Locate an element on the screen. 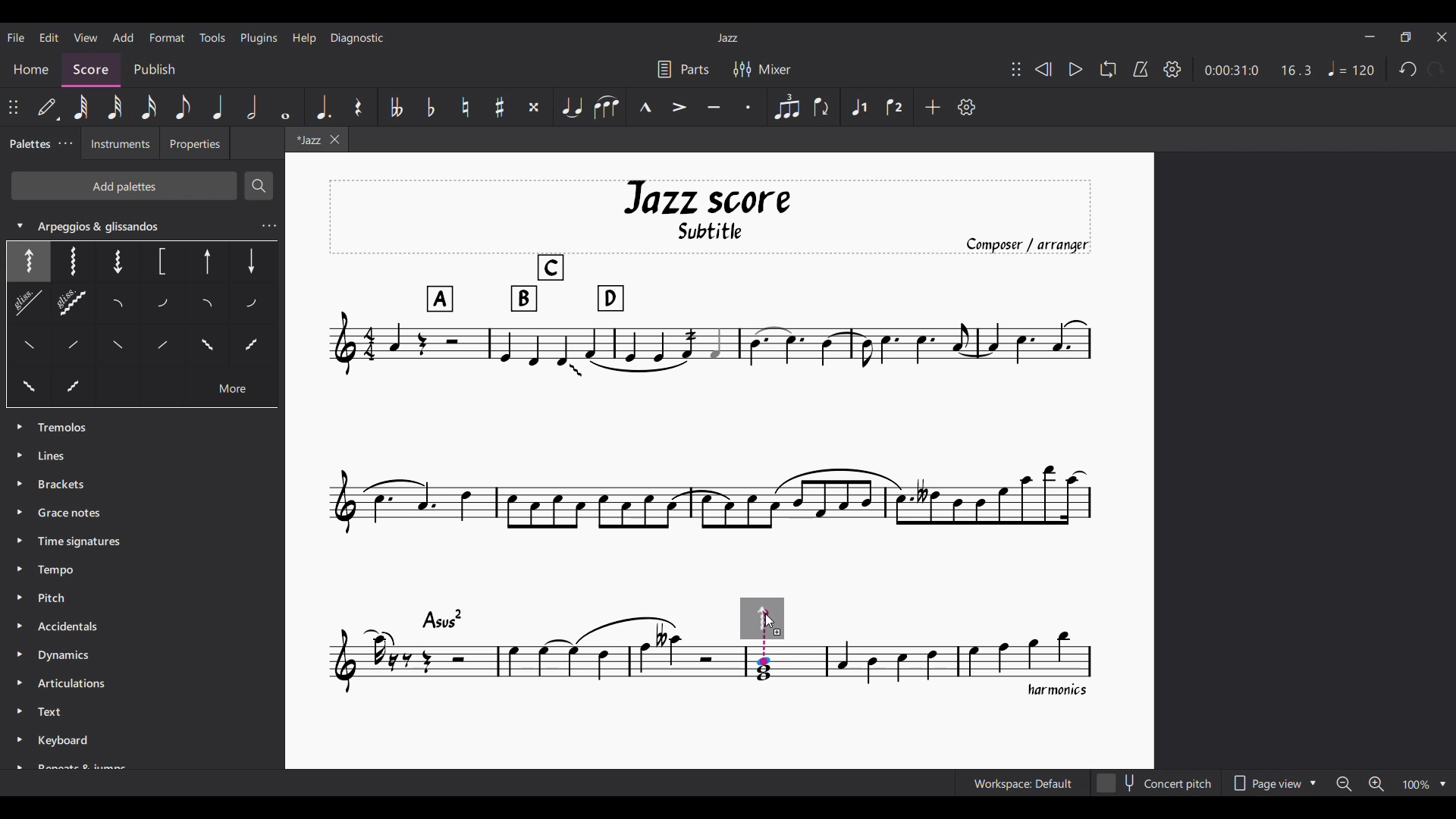 This screenshot has width=1456, height=819. Palette options is located at coordinates (67, 424).